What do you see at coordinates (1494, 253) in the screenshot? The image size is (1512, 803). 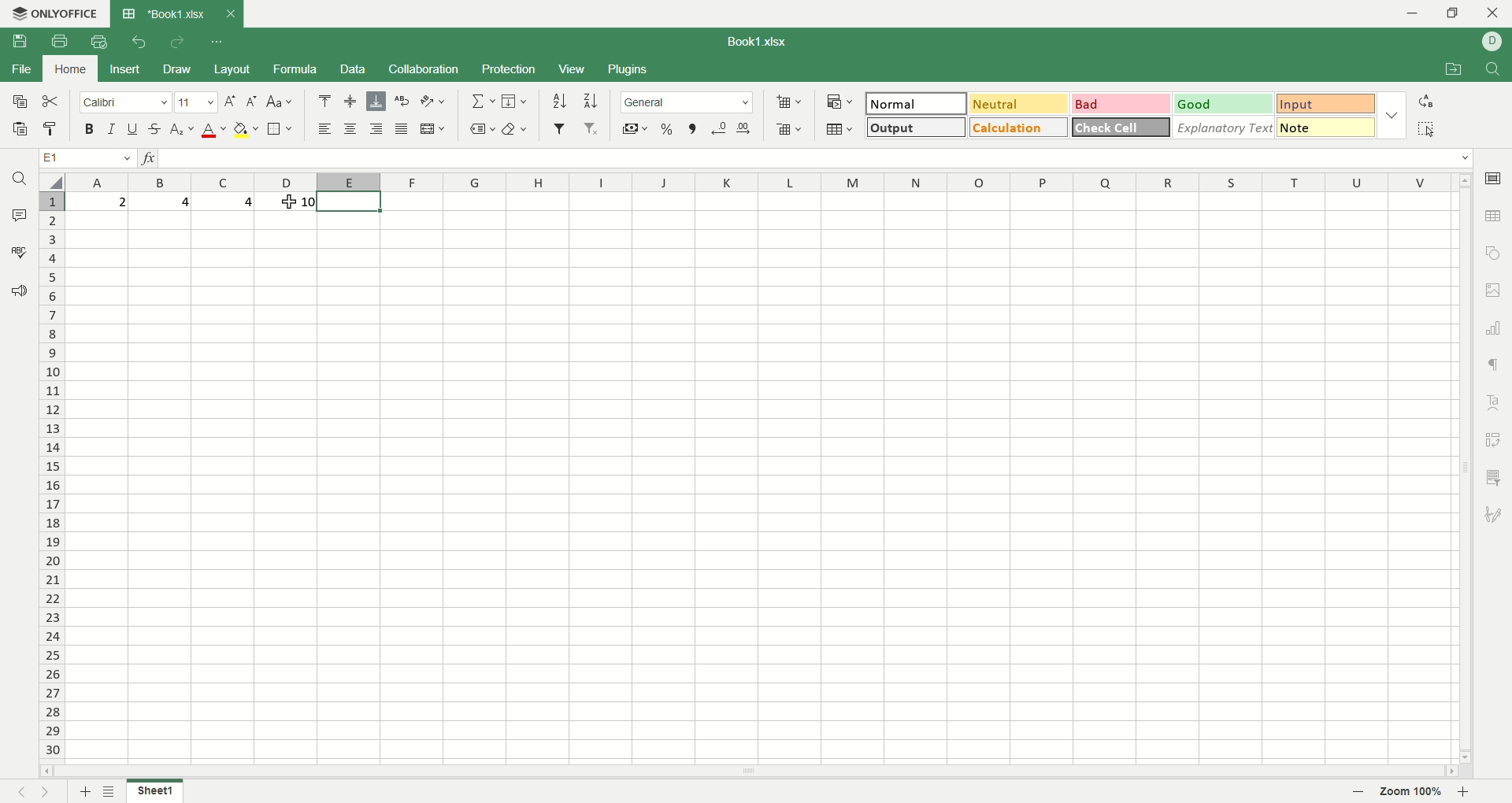 I see `object settings` at bounding box center [1494, 253].